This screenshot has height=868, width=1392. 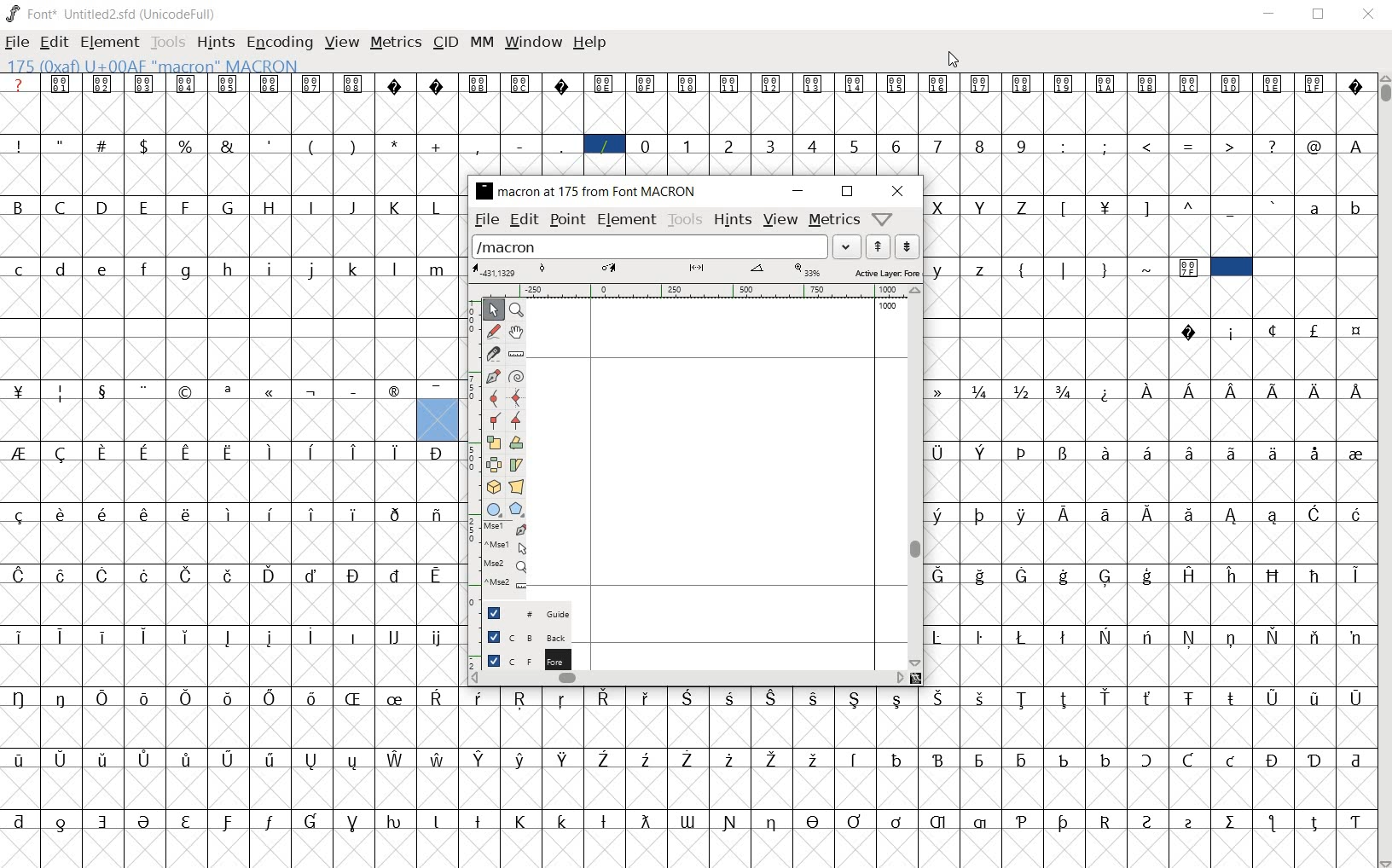 I want to click on Symbol, so click(x=942, y=757).